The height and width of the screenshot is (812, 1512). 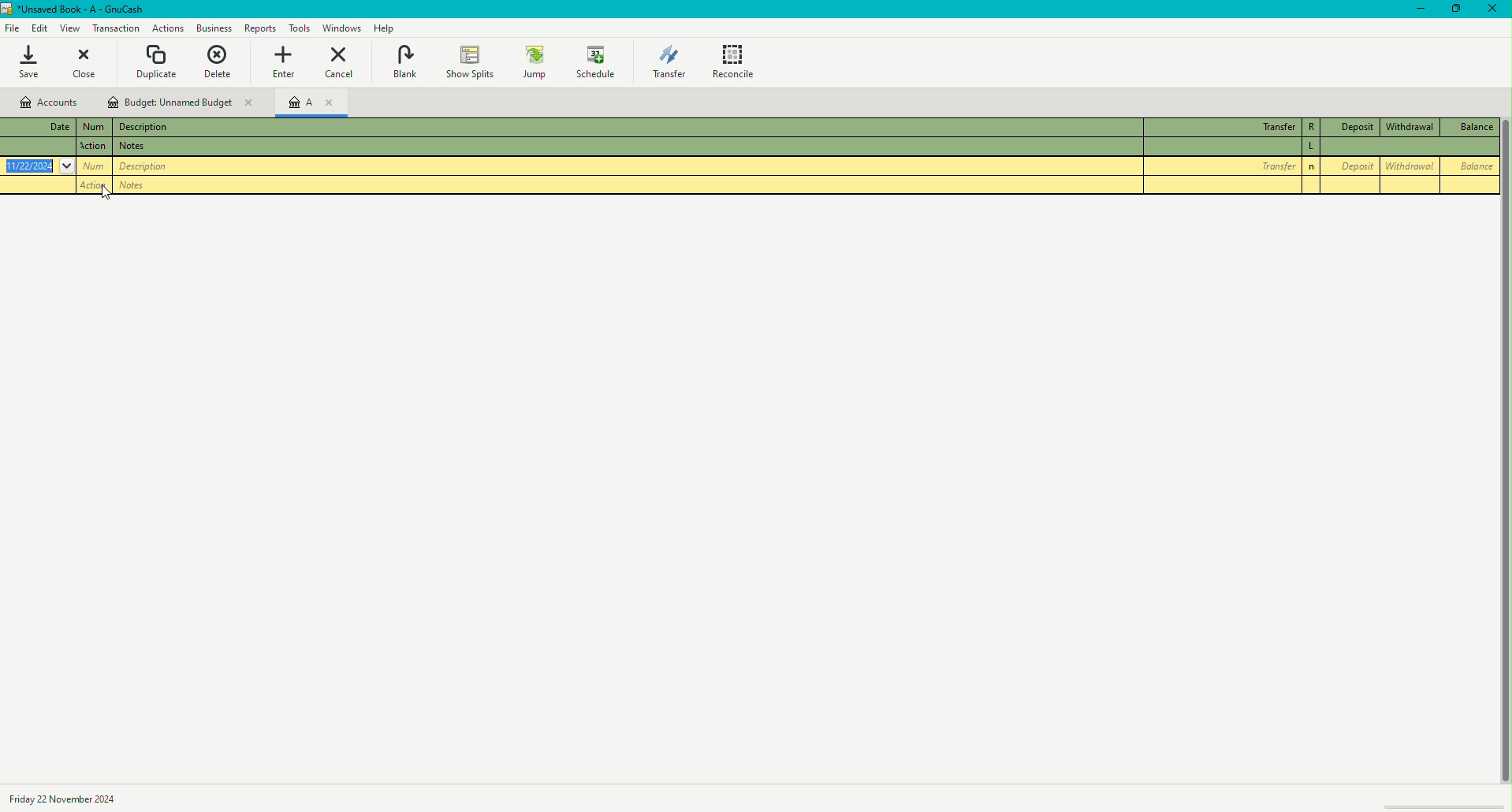 What do you see at coordinates (1454, 9) in the screenshot?
I see `Restore` at bounding box center [1454, 9].